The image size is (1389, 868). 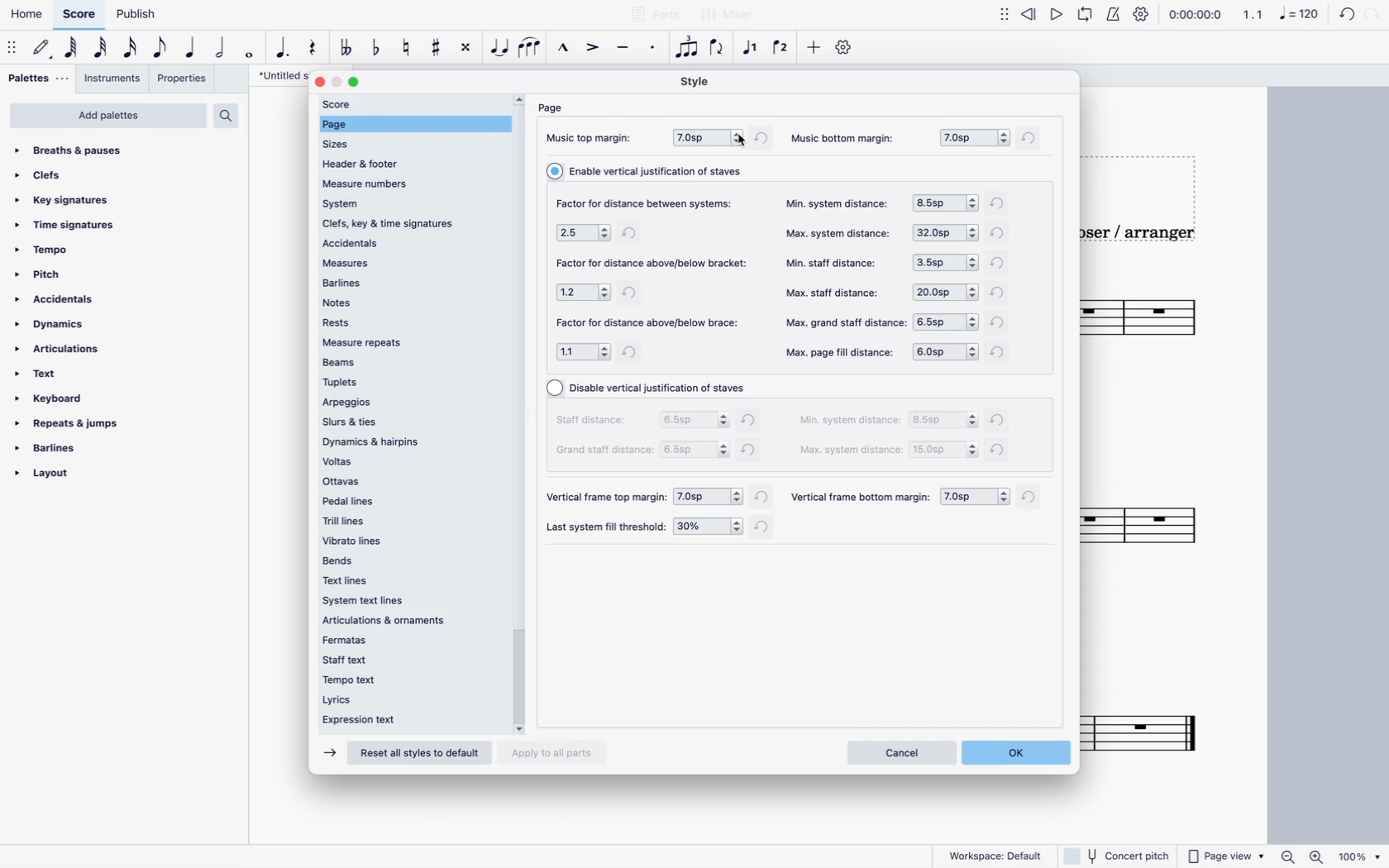 What do you see at coordinates (1167, 321) in the screenshot?
I see `score` at bounding box center [1167, 321].